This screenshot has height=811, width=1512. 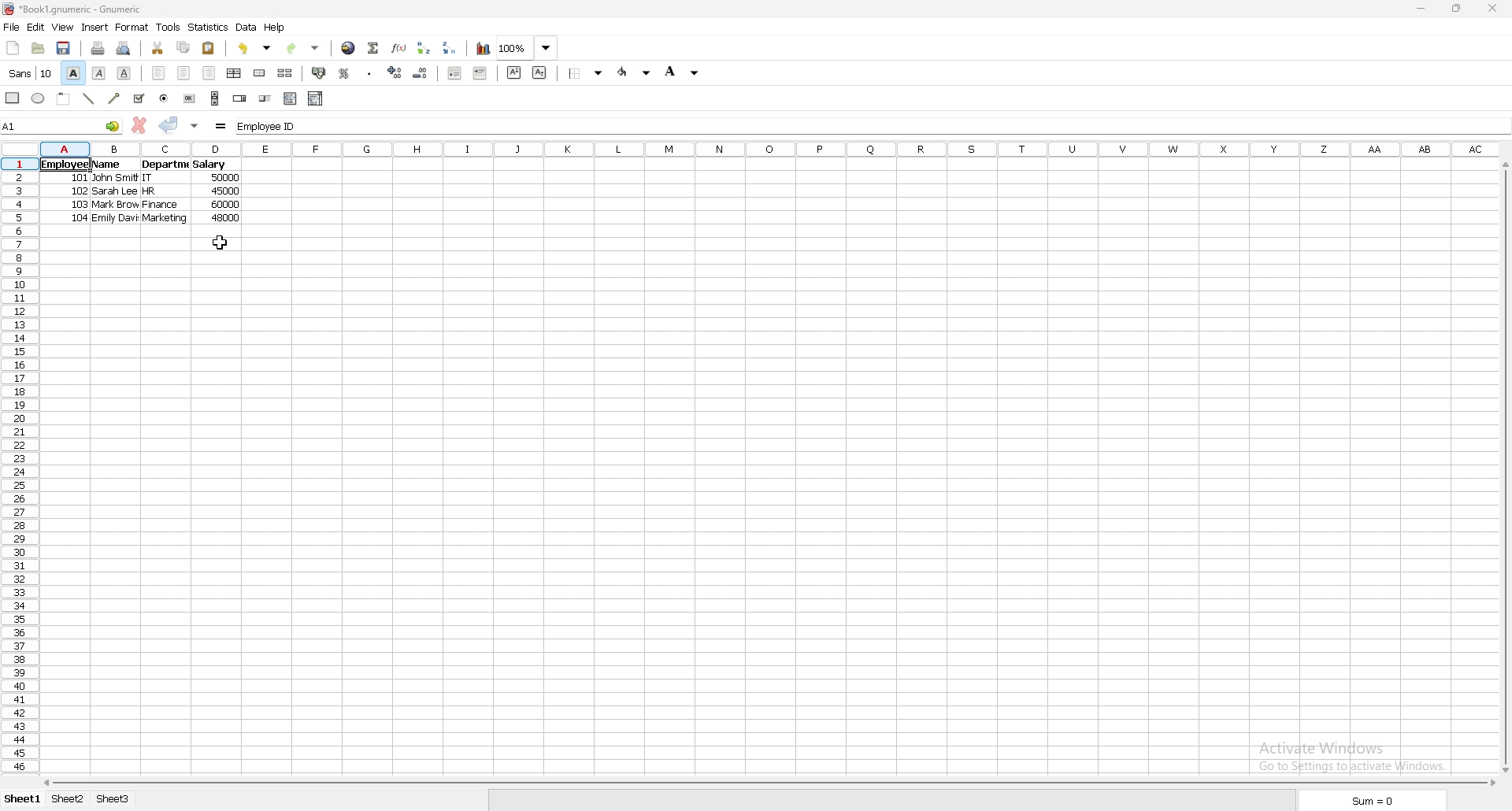 I want to click on bold, so click(x=73, y=72).